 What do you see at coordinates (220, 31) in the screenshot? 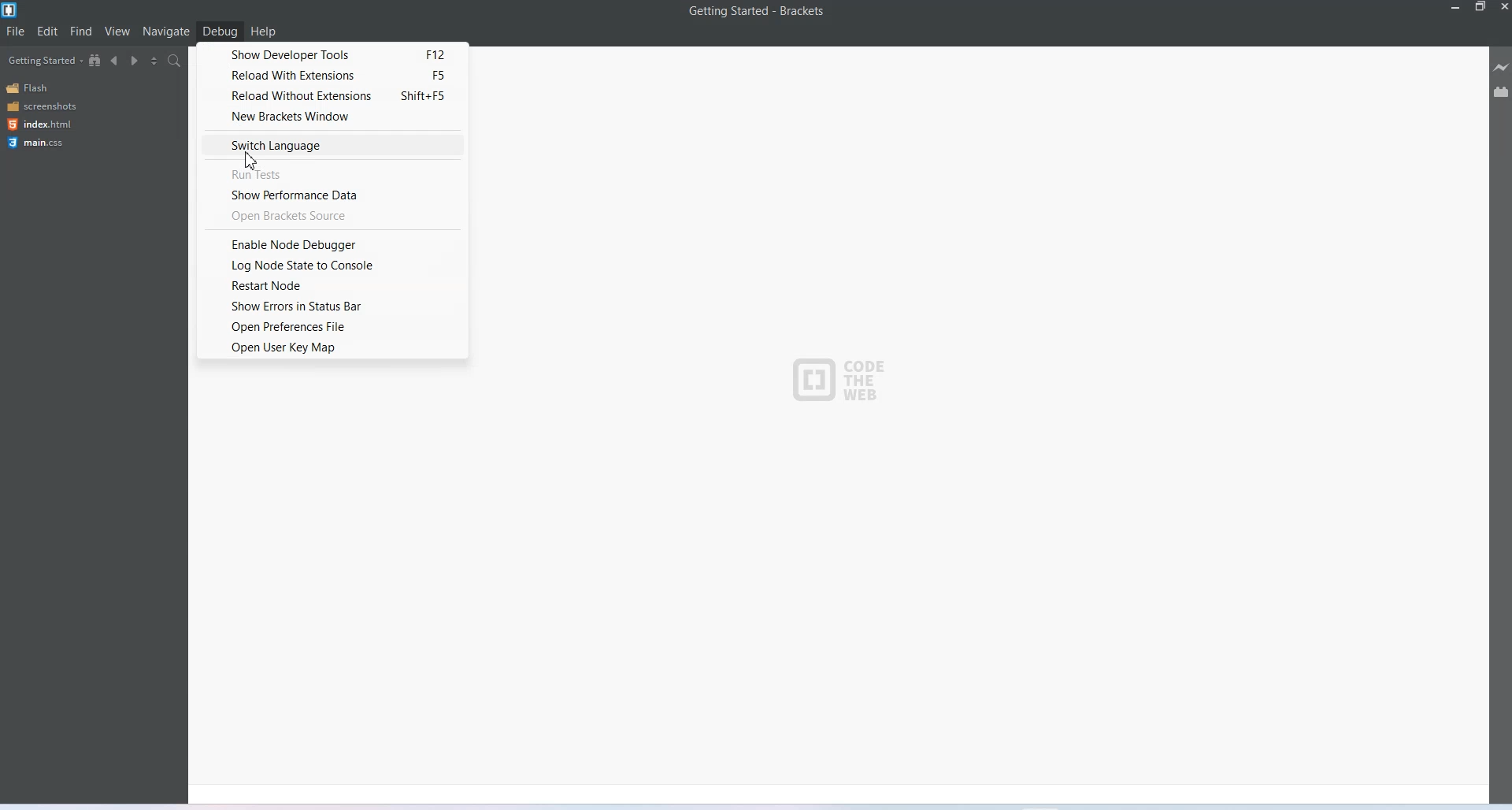
I see `Debug` at bounding box center [220, 31].